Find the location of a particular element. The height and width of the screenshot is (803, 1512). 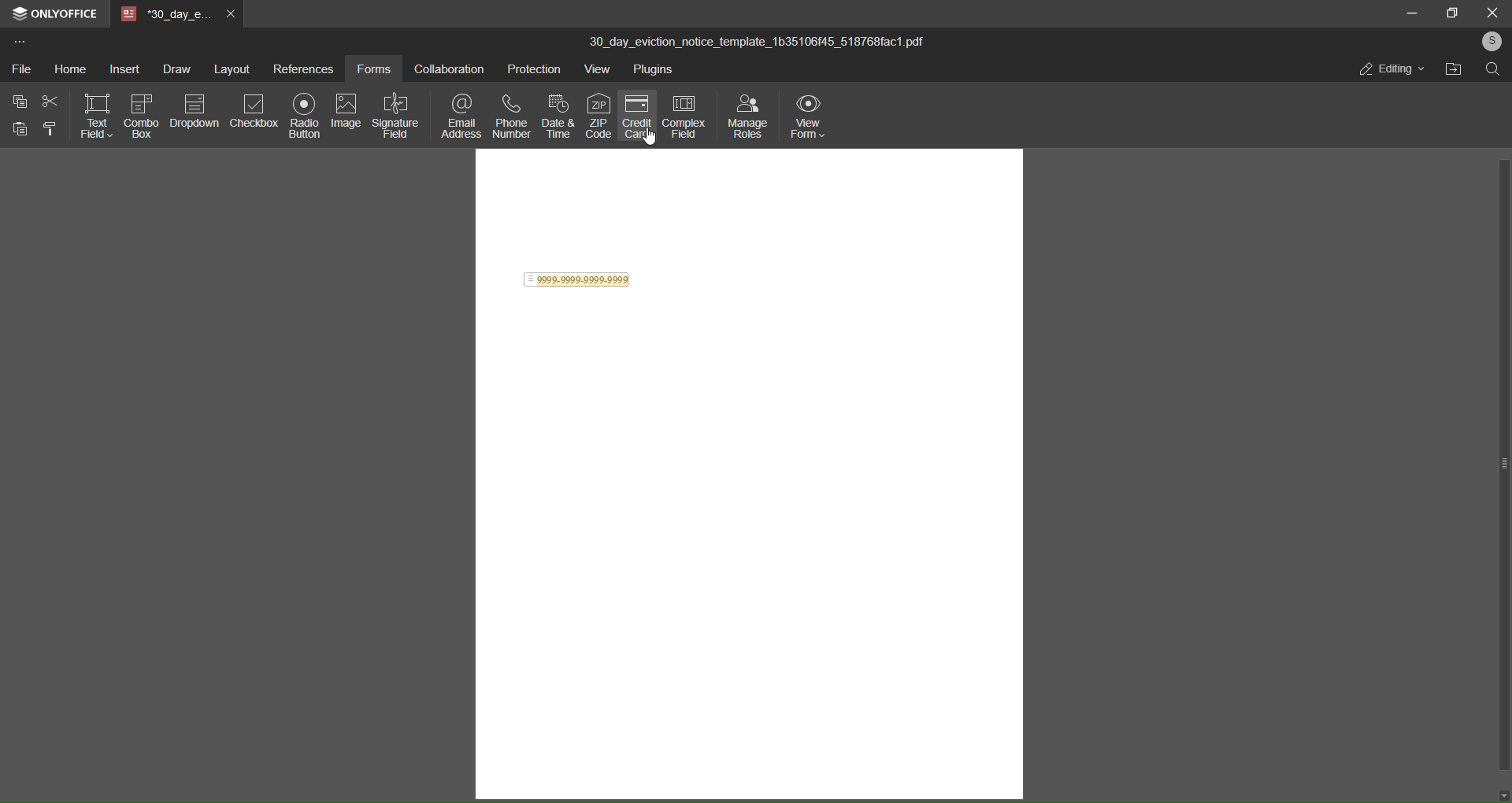

date and time is located at coordinates (559, 116).